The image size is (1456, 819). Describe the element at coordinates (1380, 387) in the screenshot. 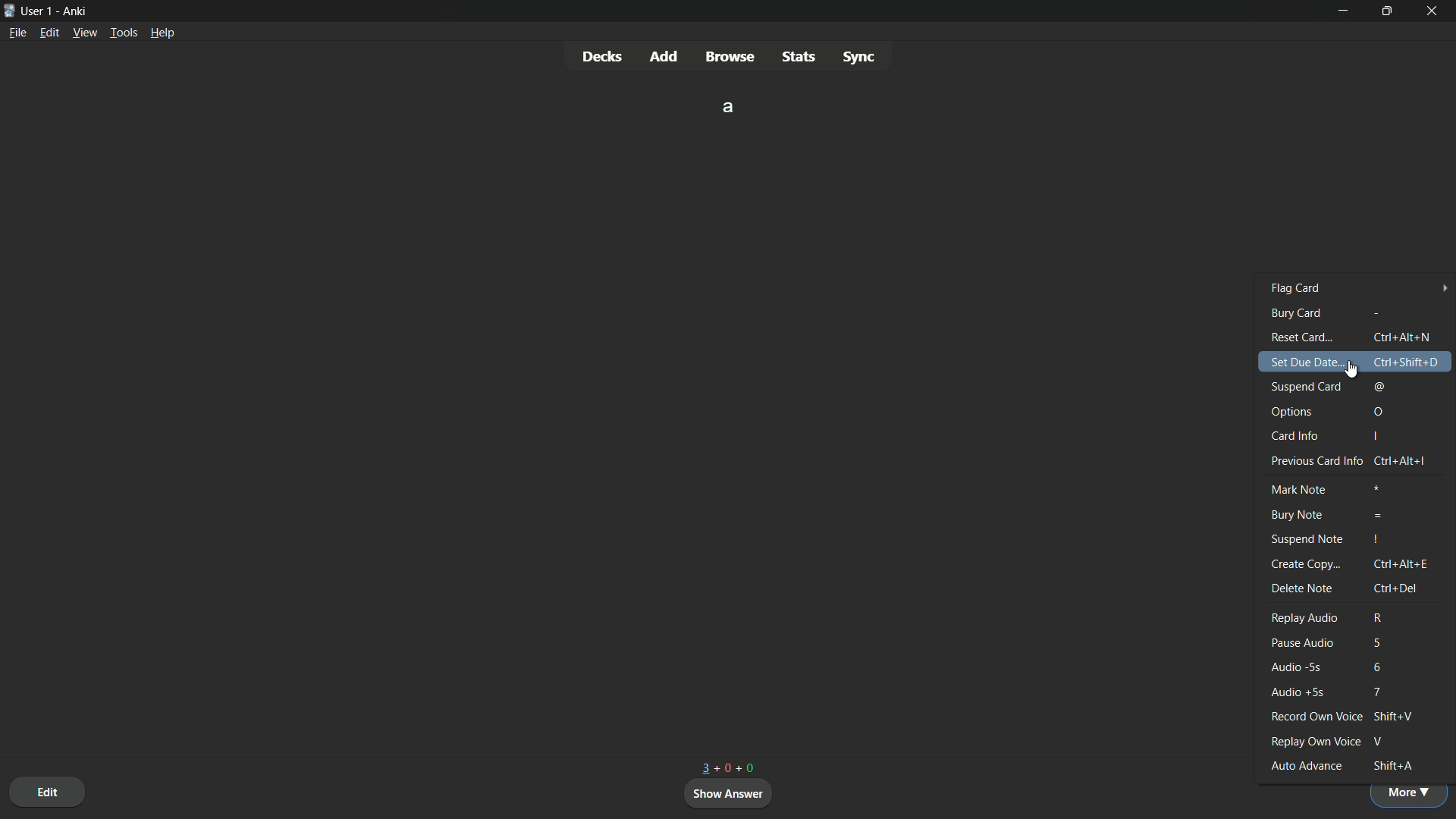

I see `keyboard shortcut` at that location.